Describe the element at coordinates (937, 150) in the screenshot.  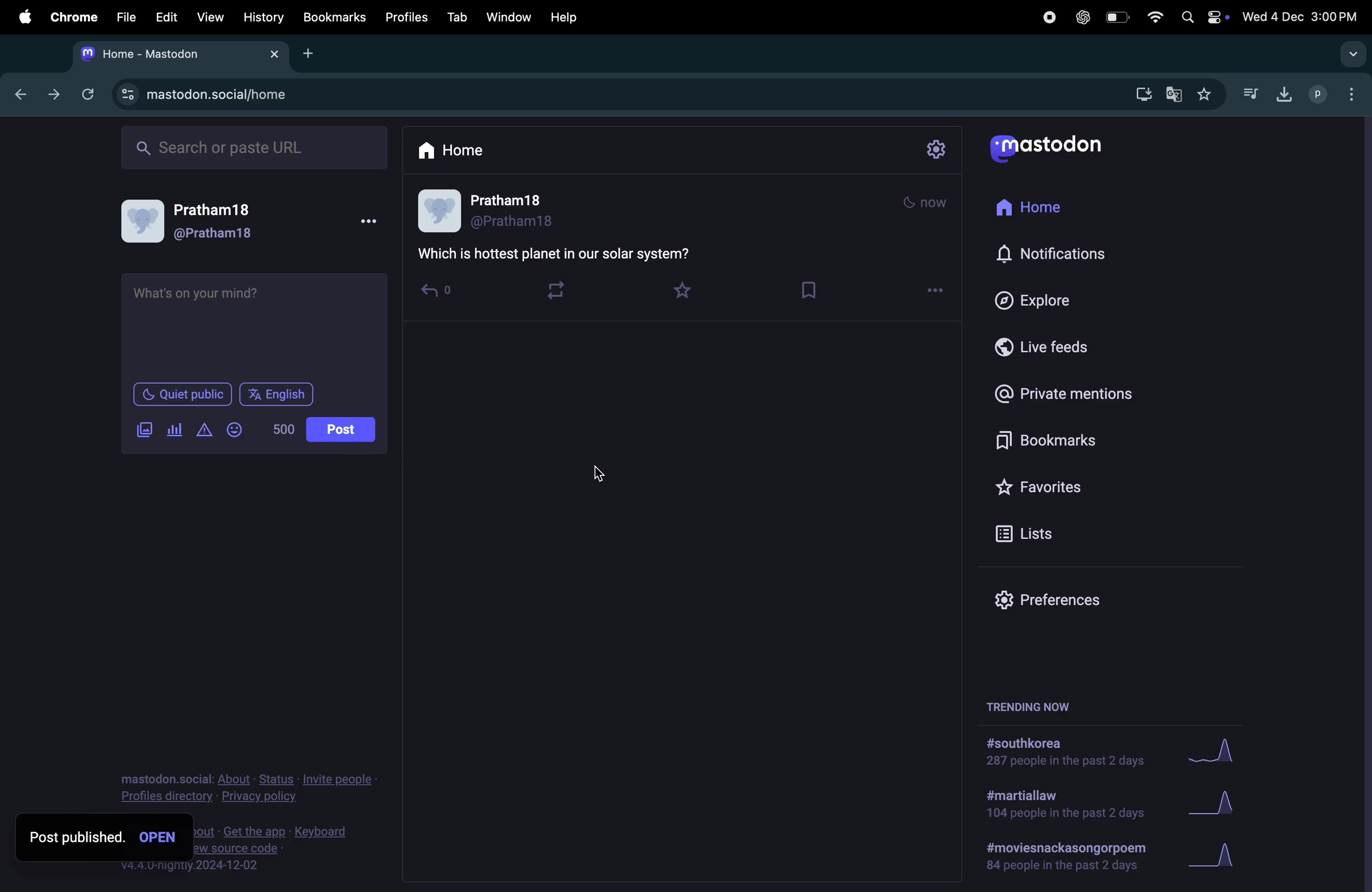
I see `settings` at that location.